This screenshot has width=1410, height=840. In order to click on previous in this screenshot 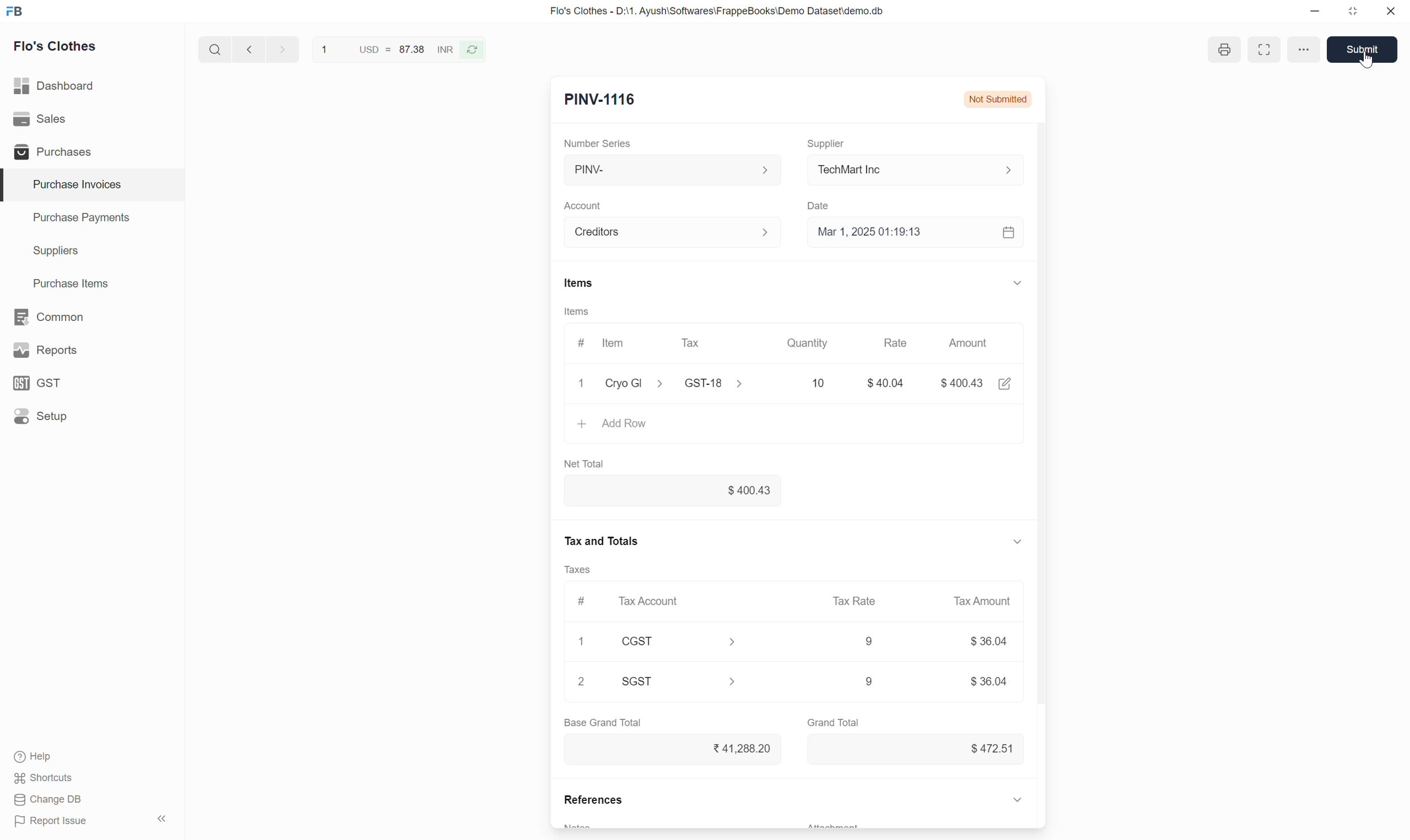, I will do `click(280, 48)`.